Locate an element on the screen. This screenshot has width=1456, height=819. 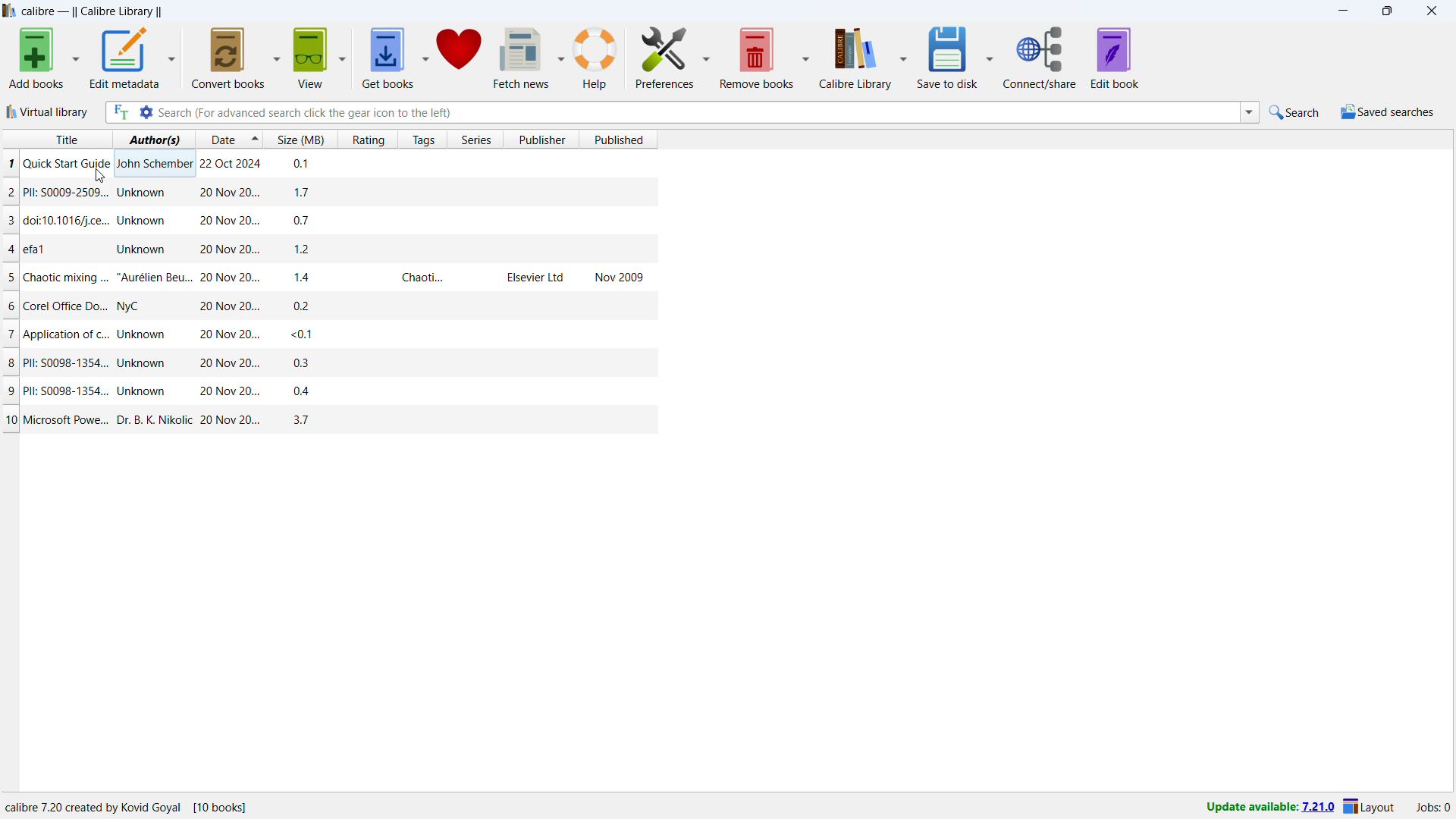
layout is located at coordinates (1371, 806).